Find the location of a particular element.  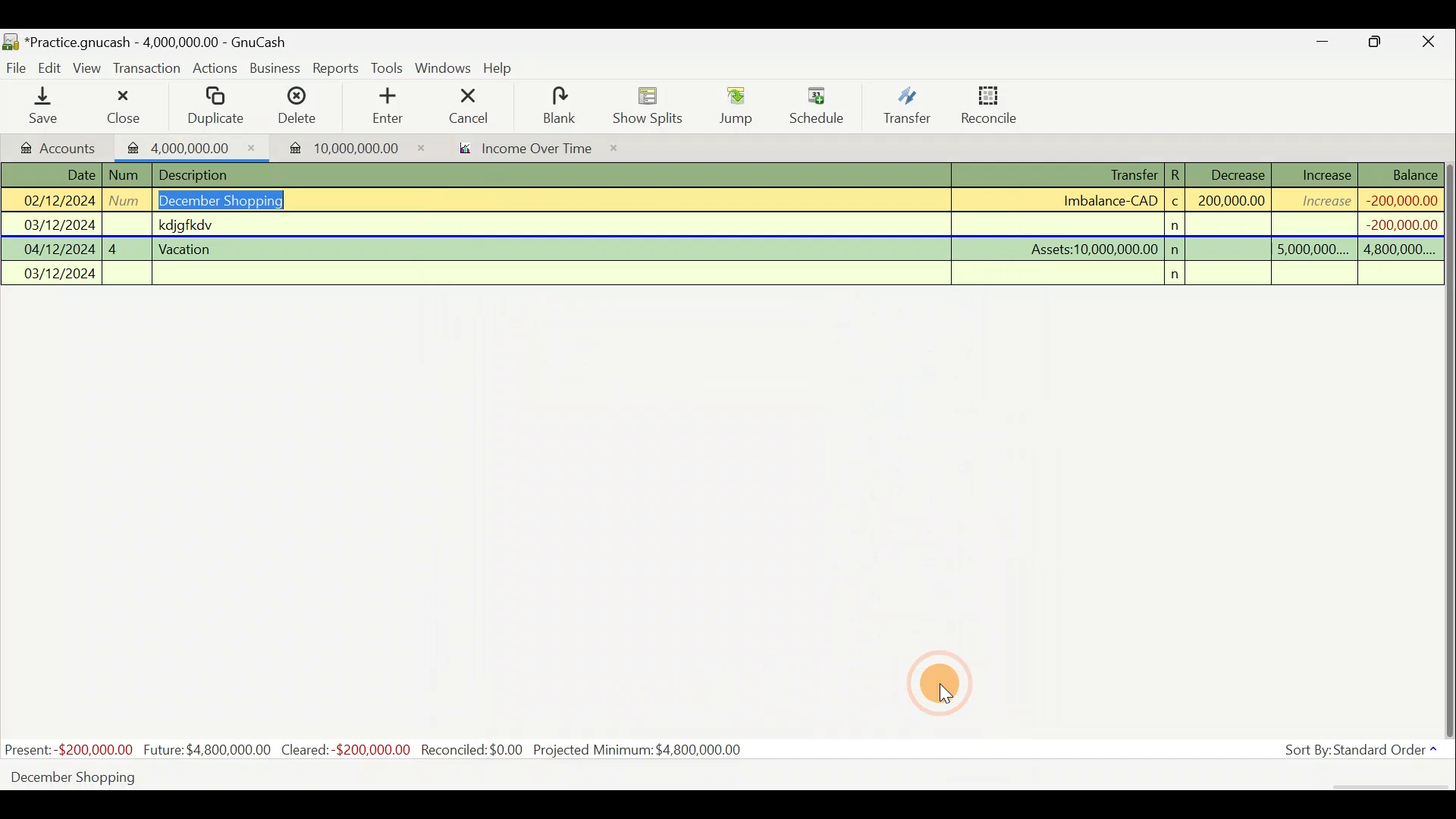

Enter is located at coordinates (386, 106).